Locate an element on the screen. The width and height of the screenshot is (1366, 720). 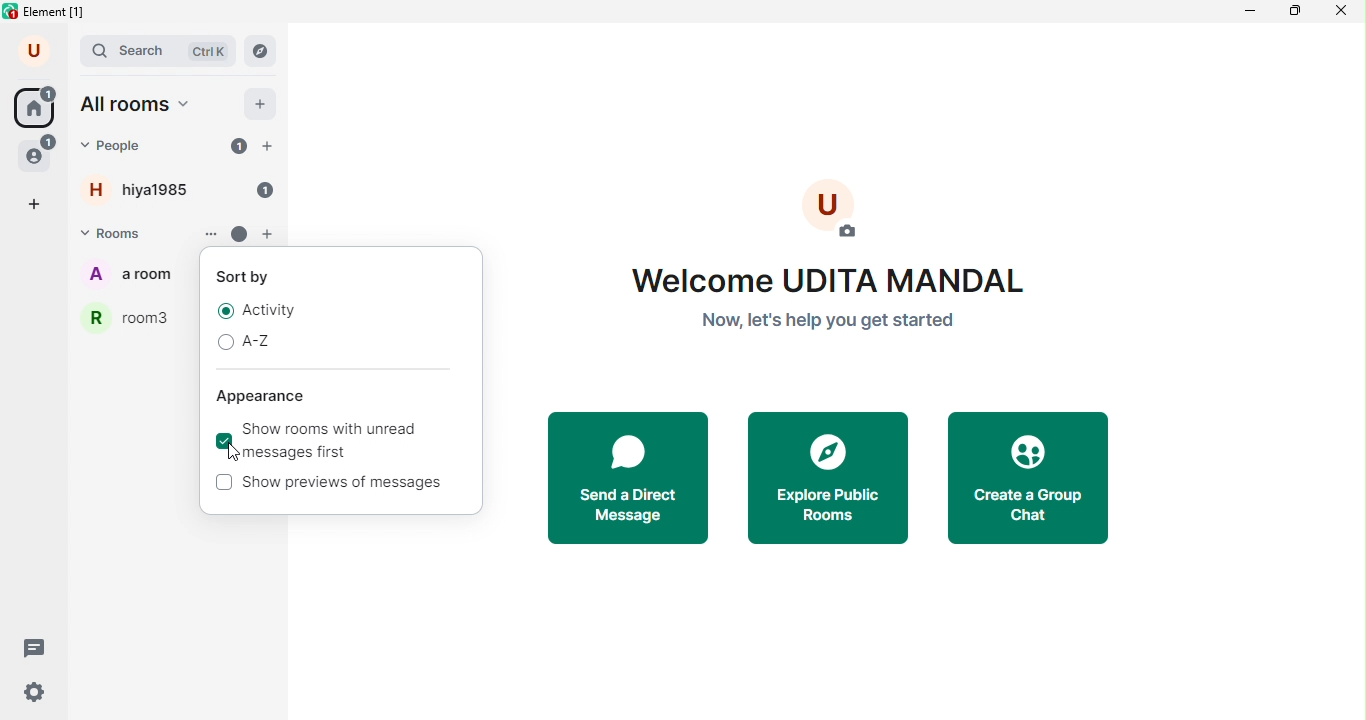
a room is located at coordinates (130, 276).